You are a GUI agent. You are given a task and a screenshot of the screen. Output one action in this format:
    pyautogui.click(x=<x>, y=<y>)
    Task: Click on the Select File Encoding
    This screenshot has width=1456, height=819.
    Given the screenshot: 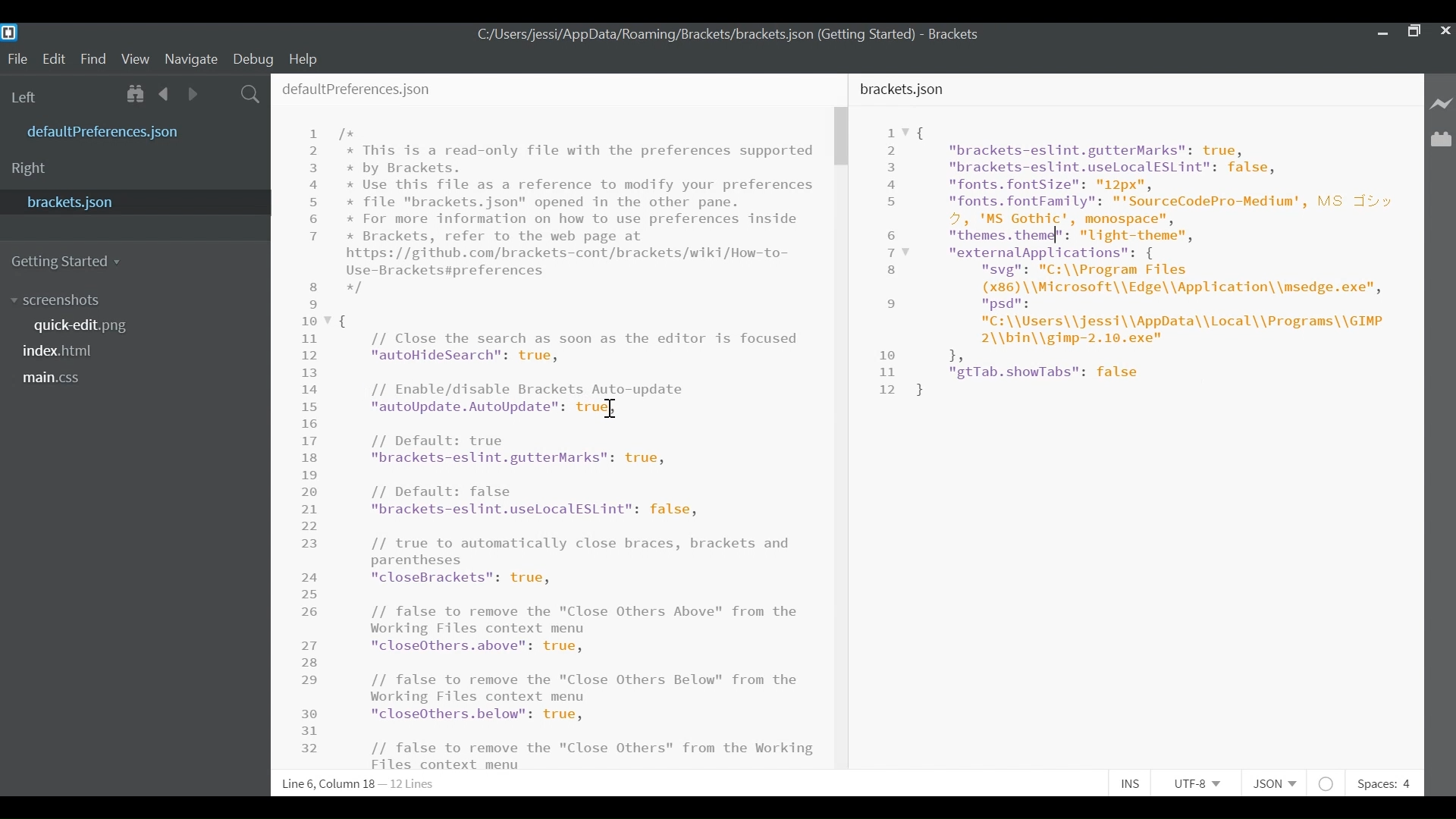 What is the action you would take?
    pyautogui.click(x=1197, y=786)
    